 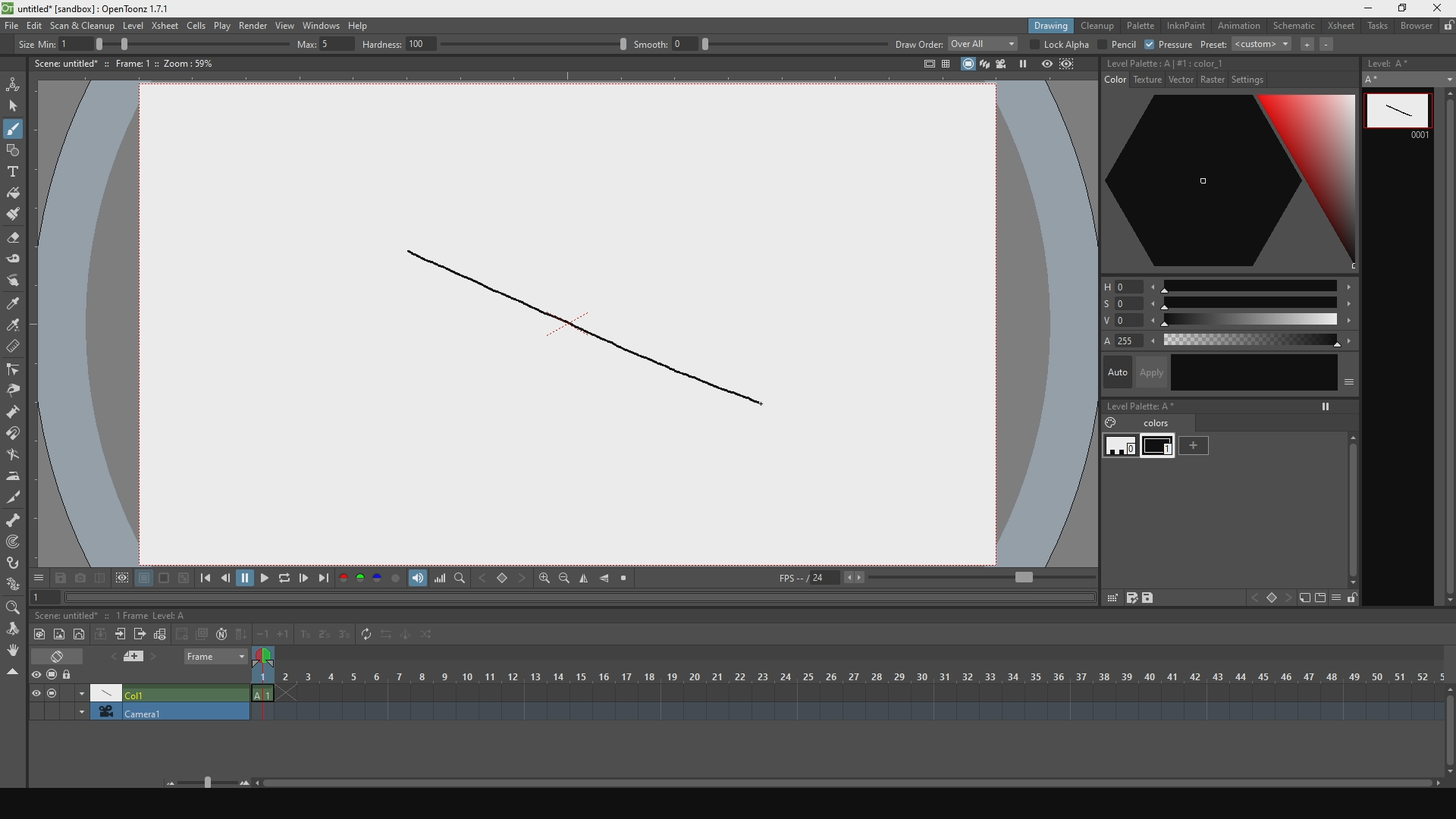 I want to click on zoom in, so click(x=544, y=579).